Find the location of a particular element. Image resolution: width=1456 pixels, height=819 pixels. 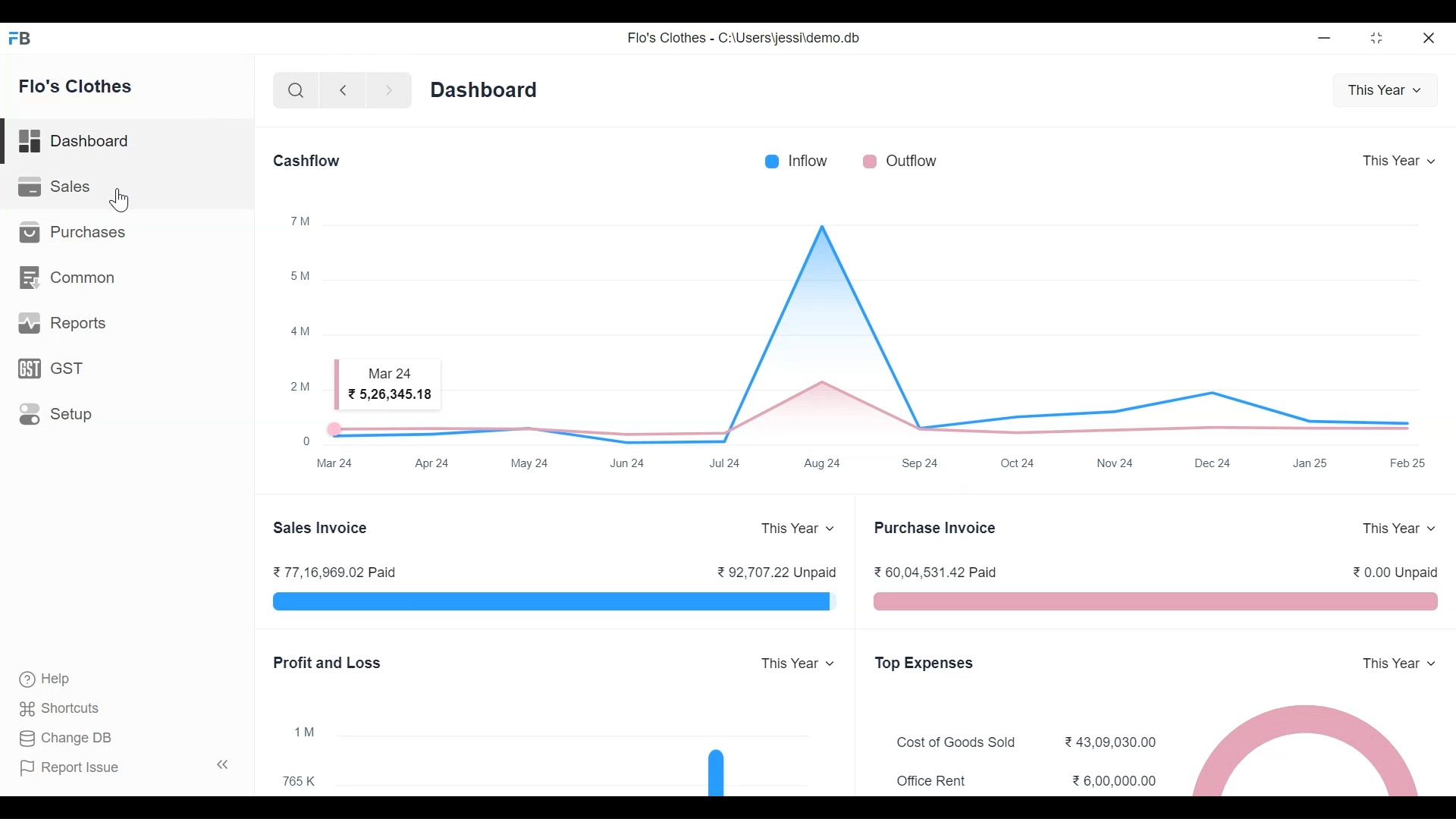

765K is located at coordinates (305, 781).